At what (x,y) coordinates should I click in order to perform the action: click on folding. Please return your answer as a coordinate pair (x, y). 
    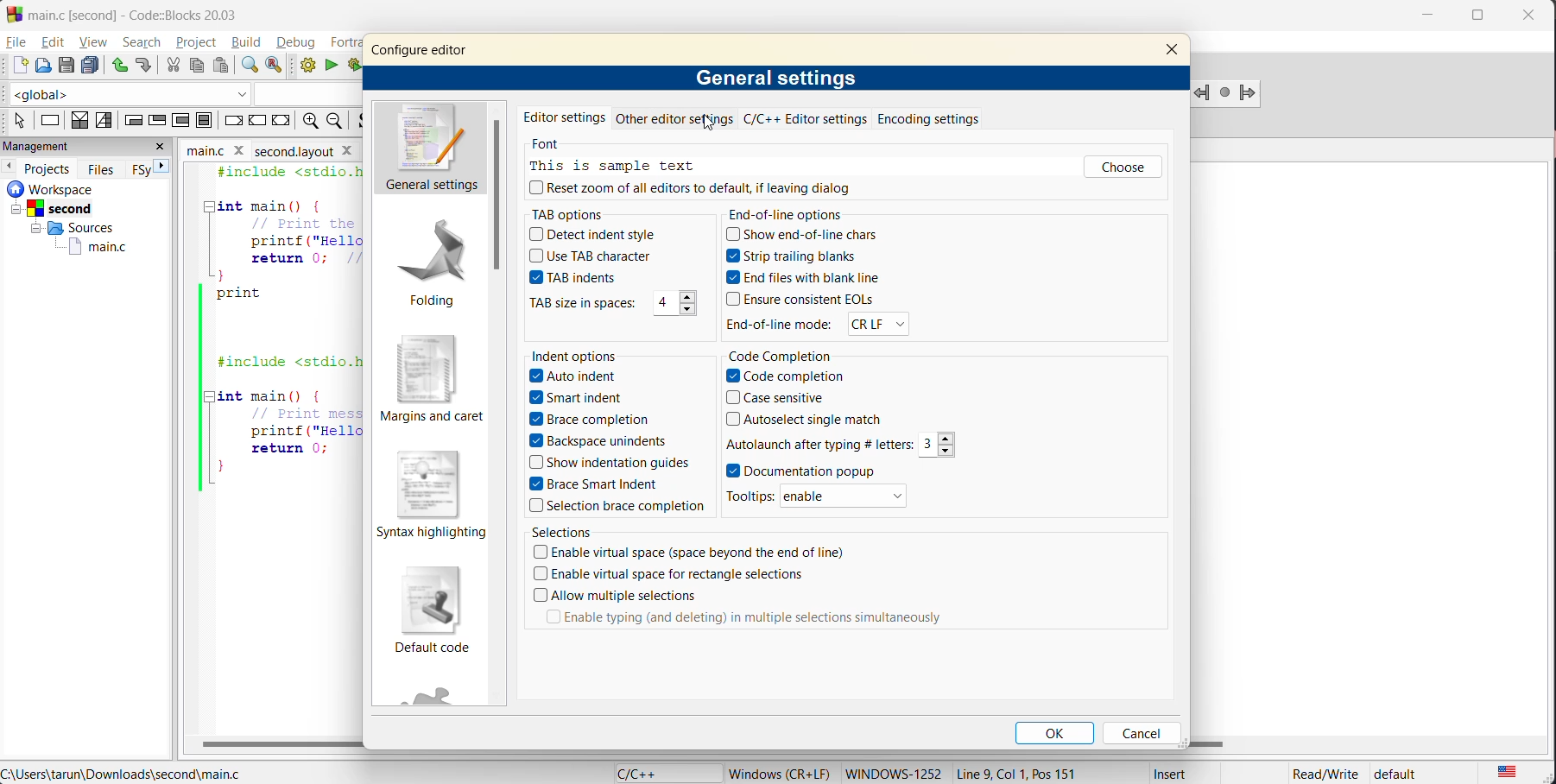
    Looking at the image, I should click on (432, 261).